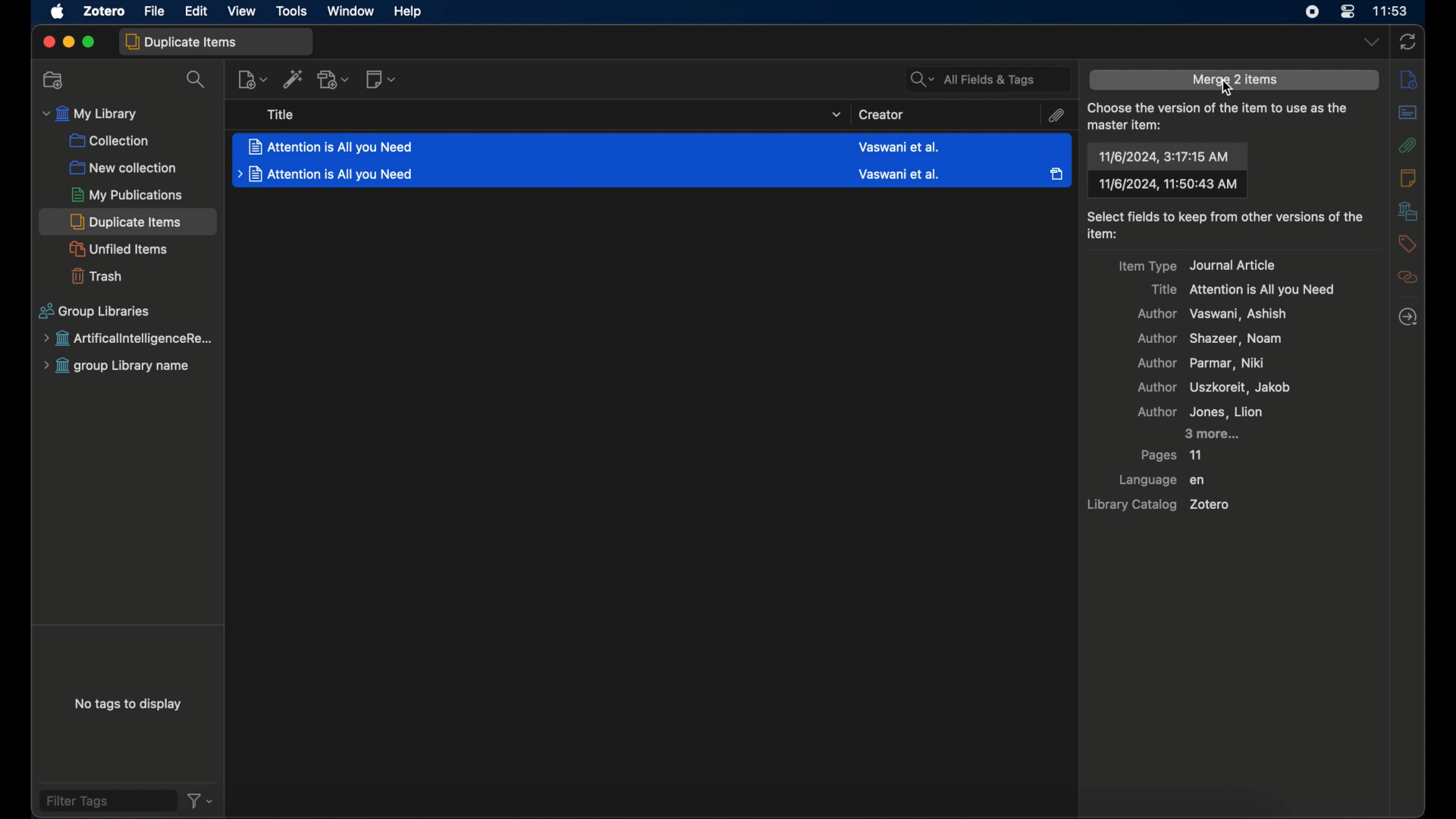  What do you see at coordinates (67, 41) in the screenshot?
I see `minimize` at bounding box center [67, 41].